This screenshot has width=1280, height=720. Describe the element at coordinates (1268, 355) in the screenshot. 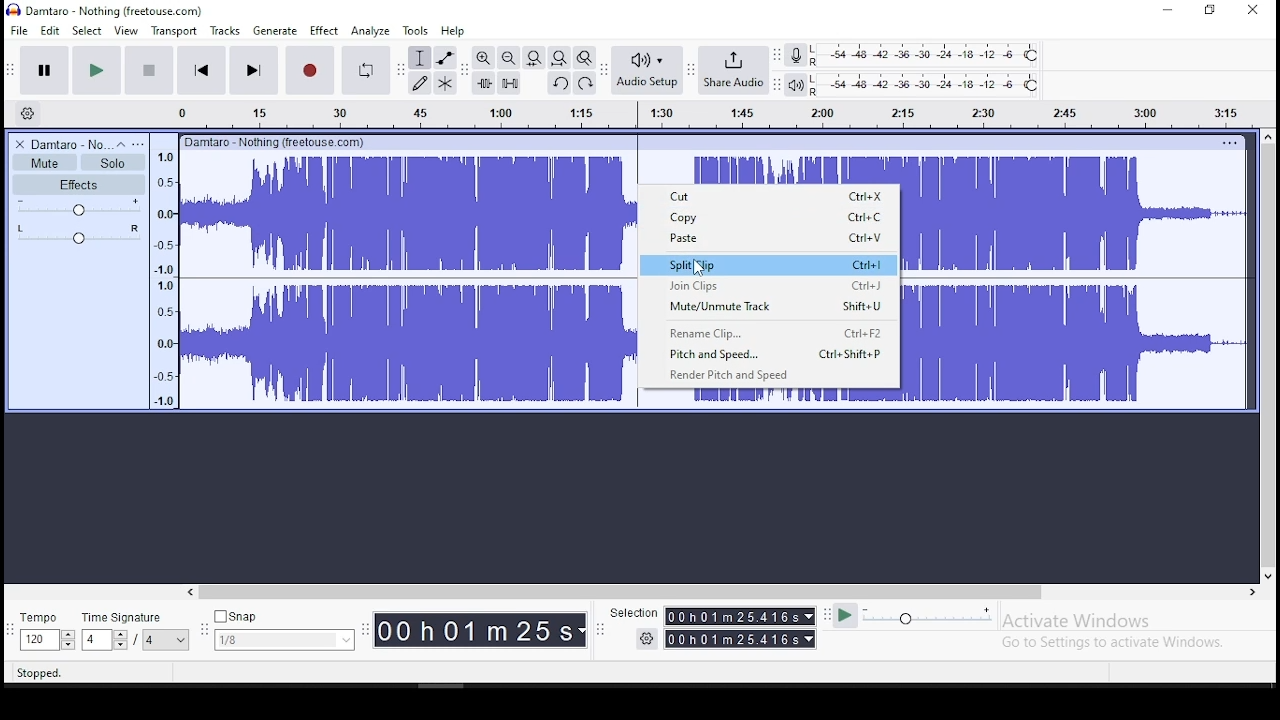

I see `scroll bar` at that location.